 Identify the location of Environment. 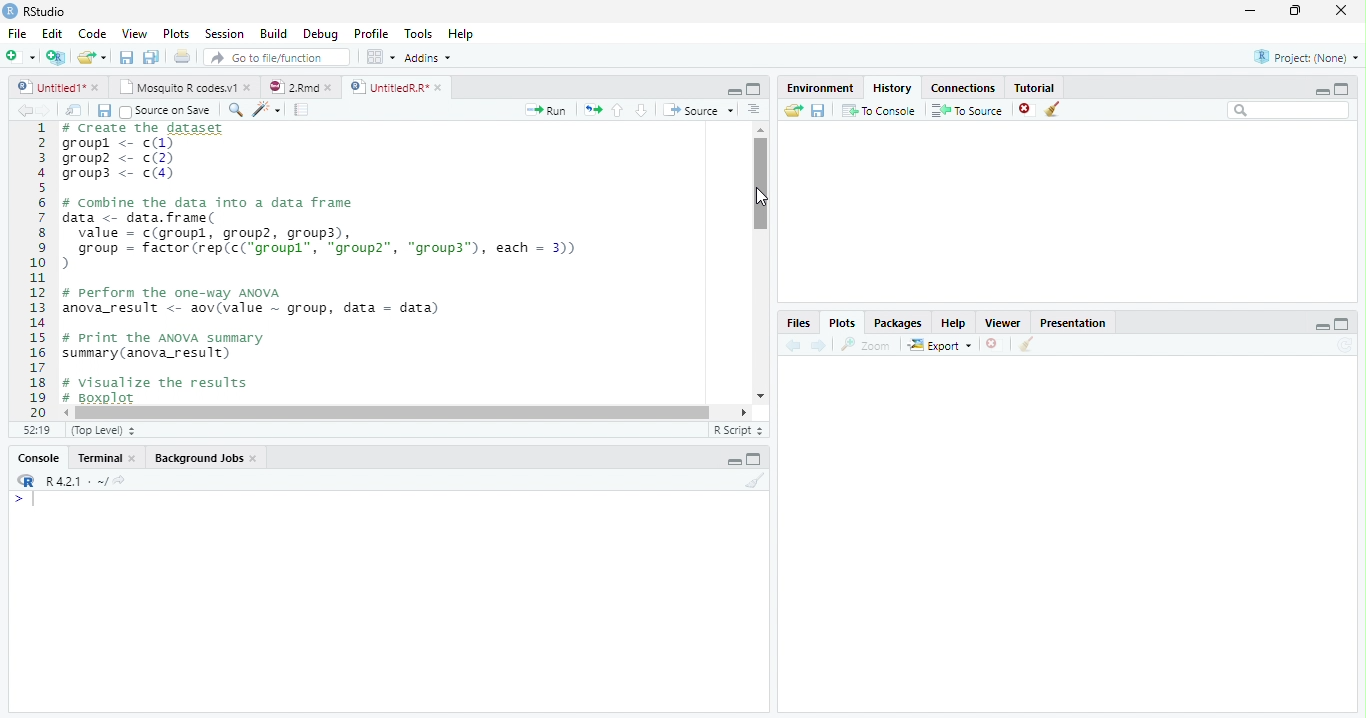
(820, 88).